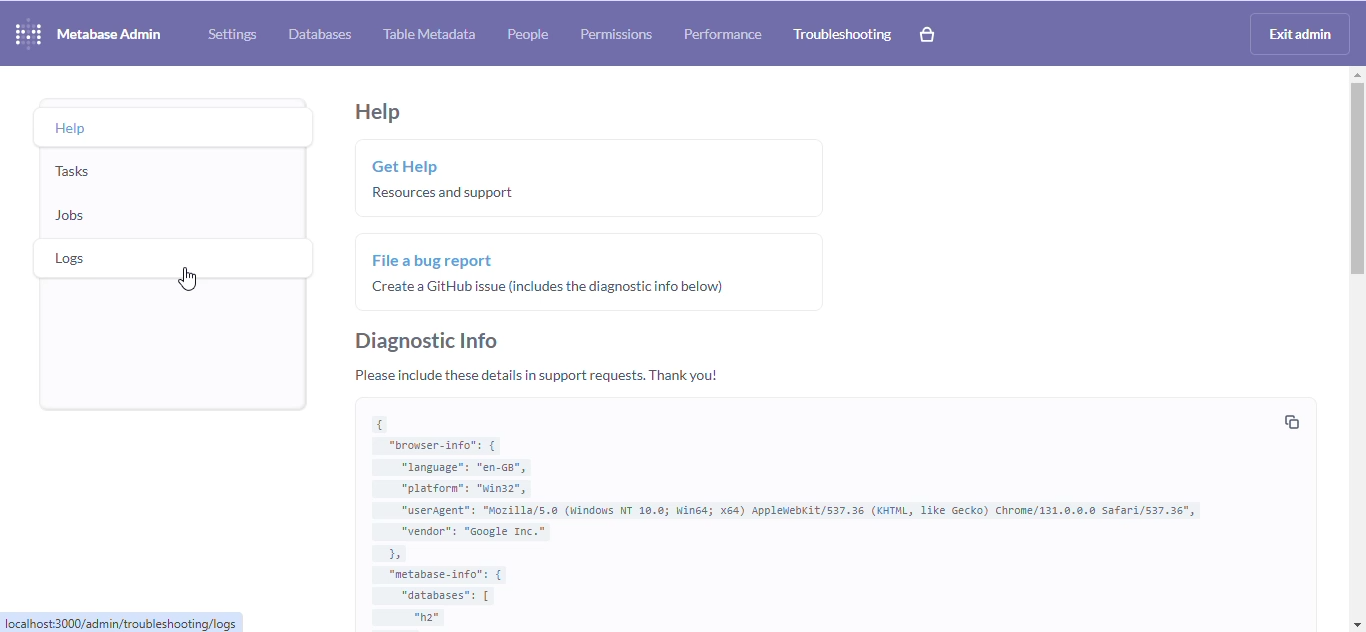  Describe the element at coordinates (592, 178) in the screenshot. I see `get help` at that location.